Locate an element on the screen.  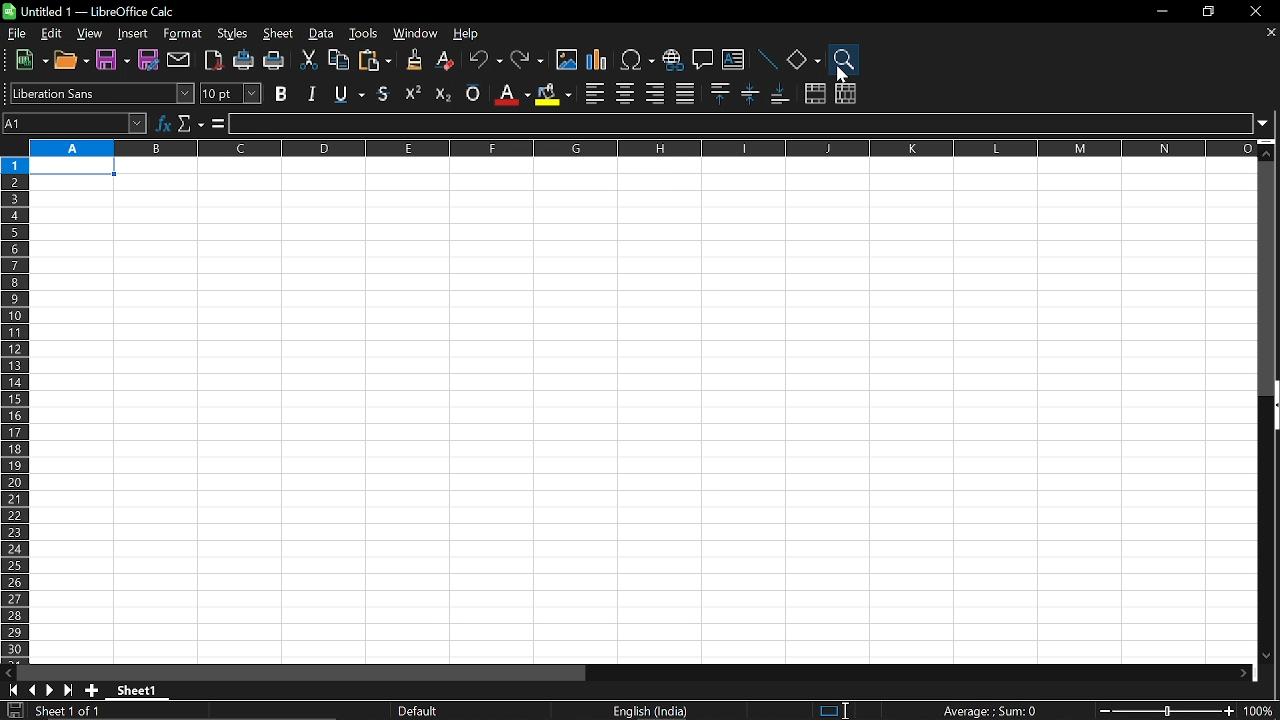
align bottom is located at coordinates (782, 95).